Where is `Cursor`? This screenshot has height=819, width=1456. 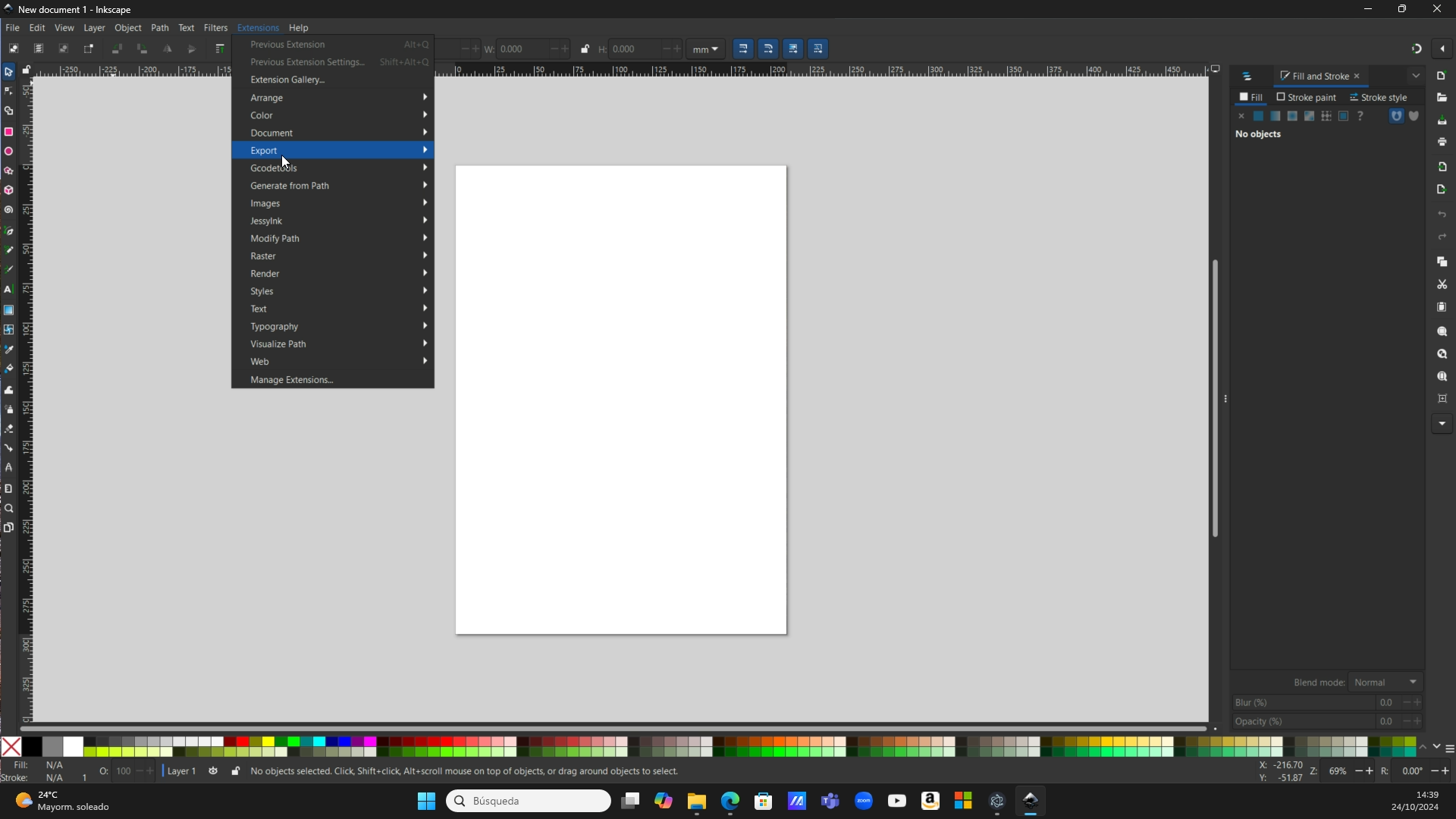 Cursor is located at coordinates (284, 164).